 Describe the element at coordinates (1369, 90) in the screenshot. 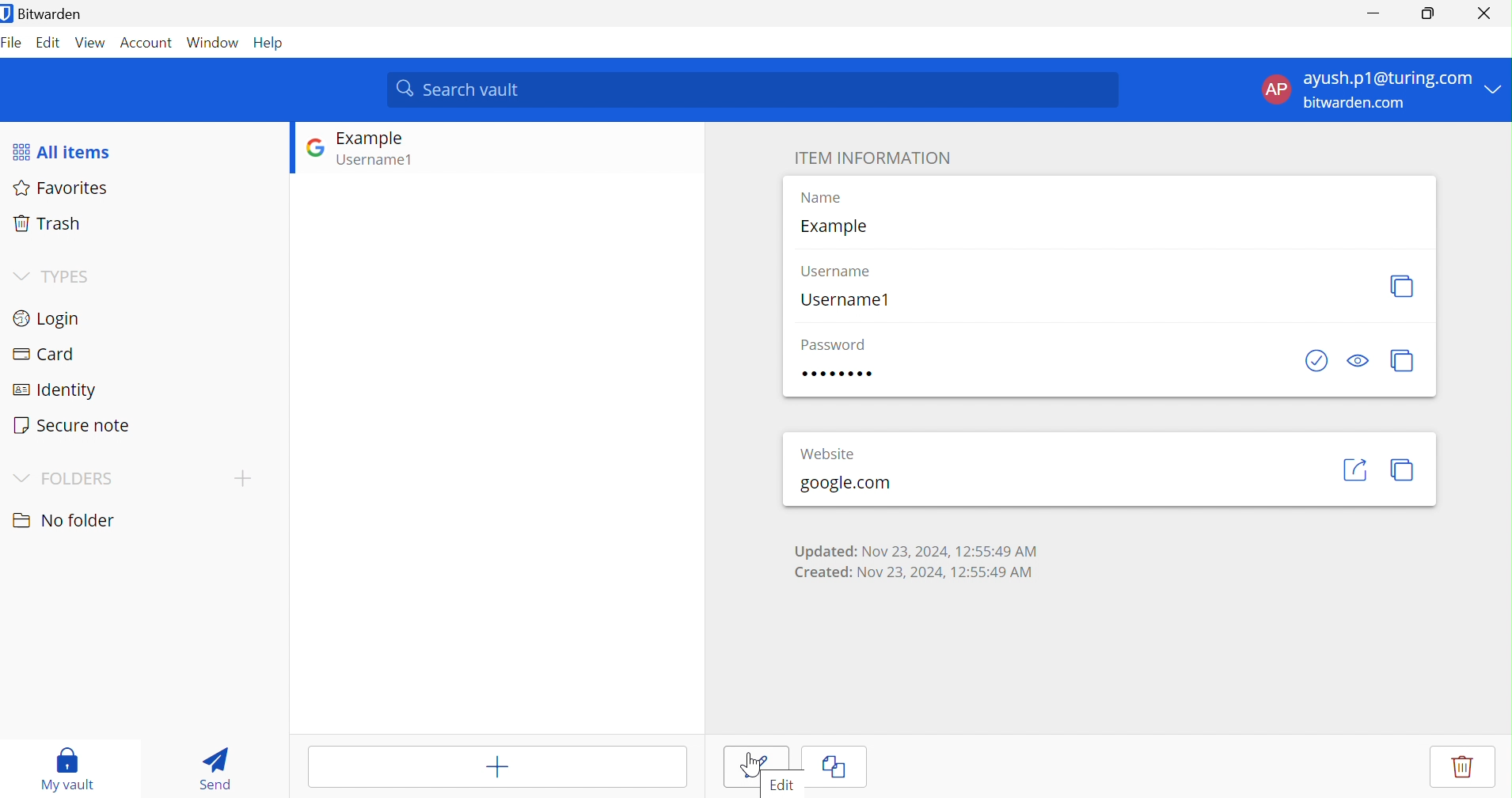

I see `ACCOUNT OPTIONS` at that location.